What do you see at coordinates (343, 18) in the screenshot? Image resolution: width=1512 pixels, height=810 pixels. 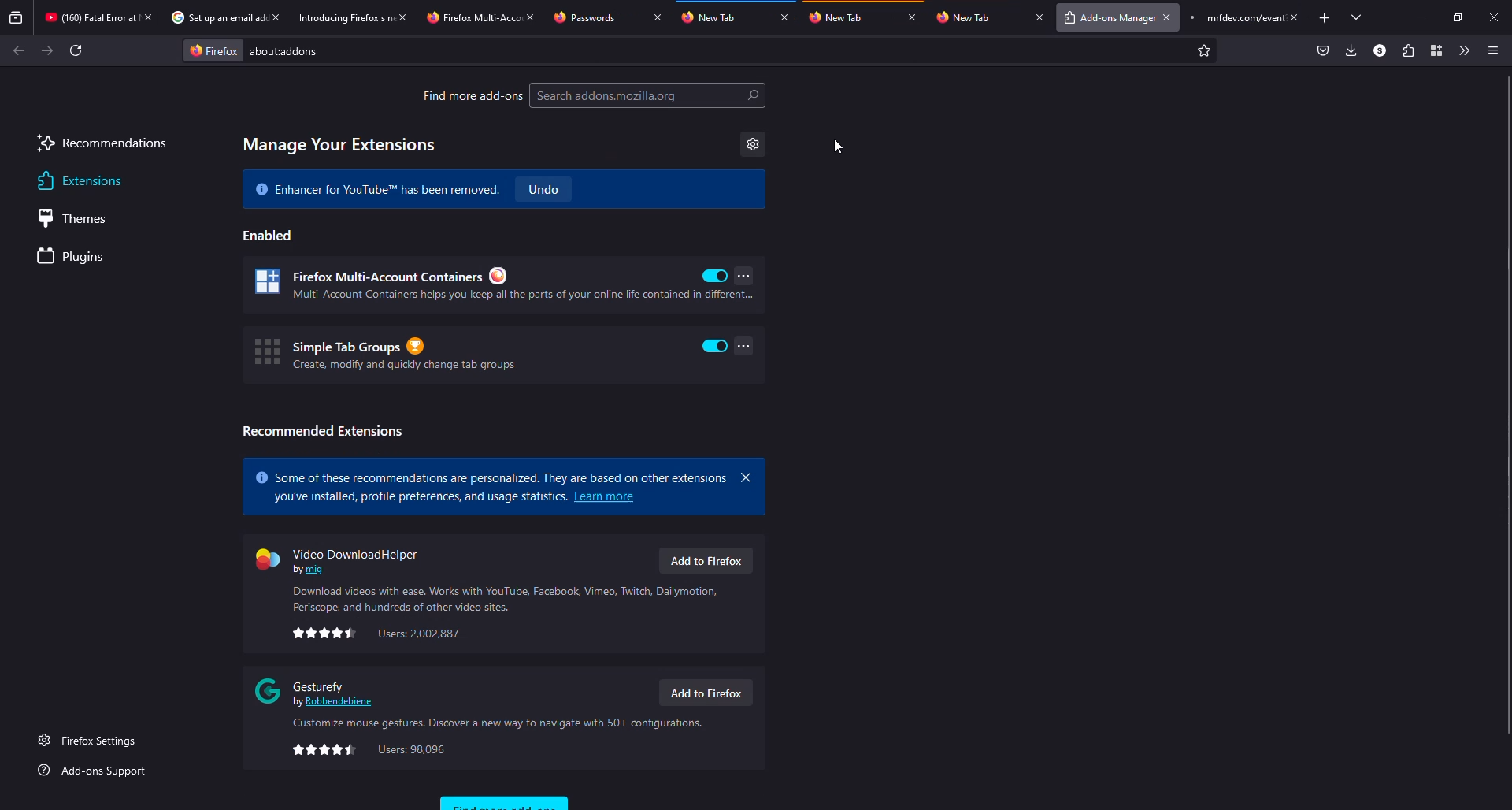 I see `tab` at bounding box center [343, 18].